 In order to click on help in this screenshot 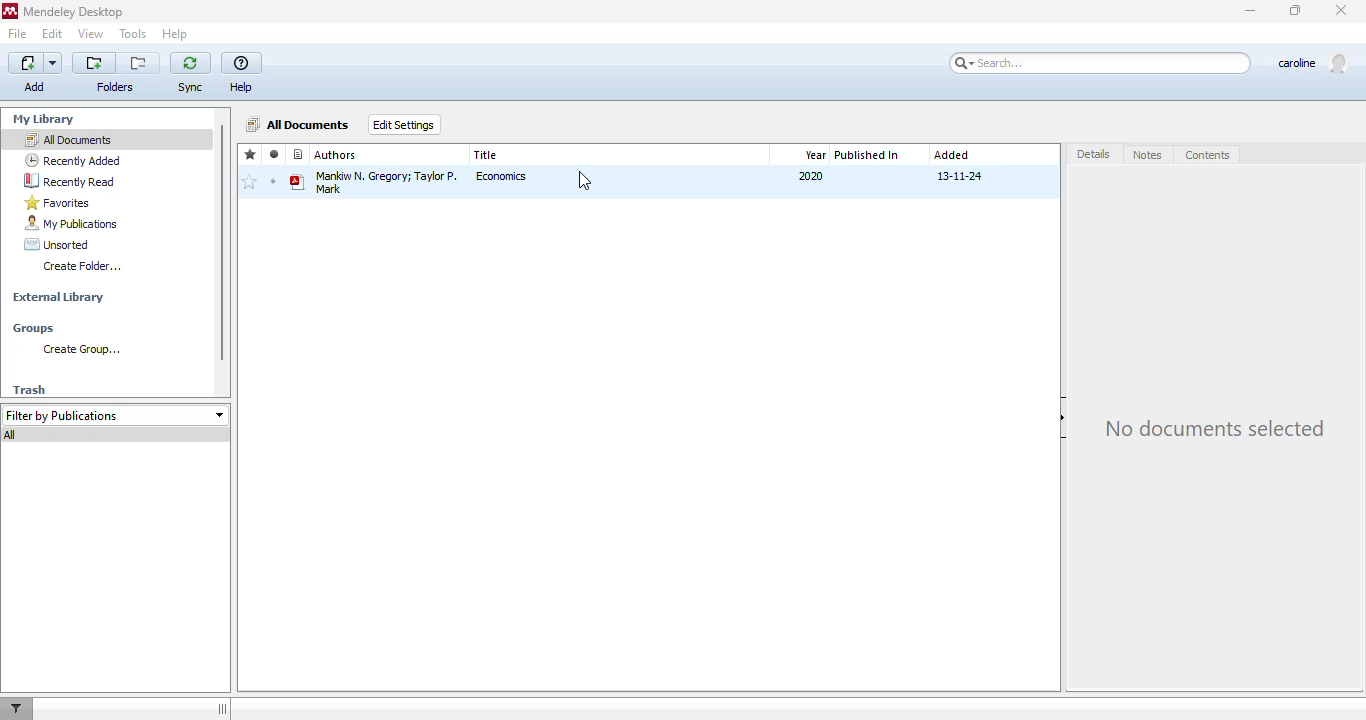, I will do `click(242, 87)`.